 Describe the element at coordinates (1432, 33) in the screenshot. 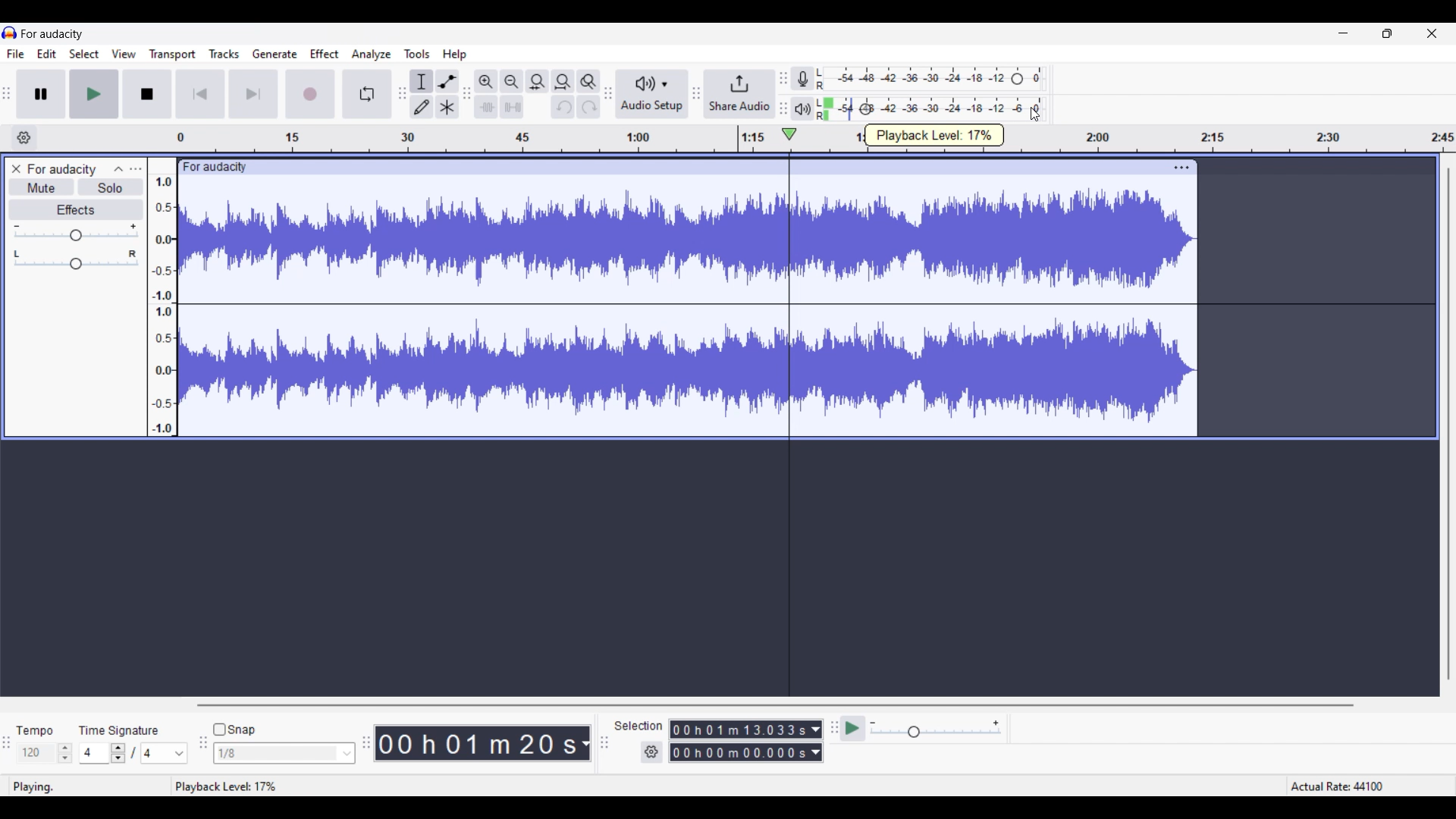

I see `Close interface` at that location.